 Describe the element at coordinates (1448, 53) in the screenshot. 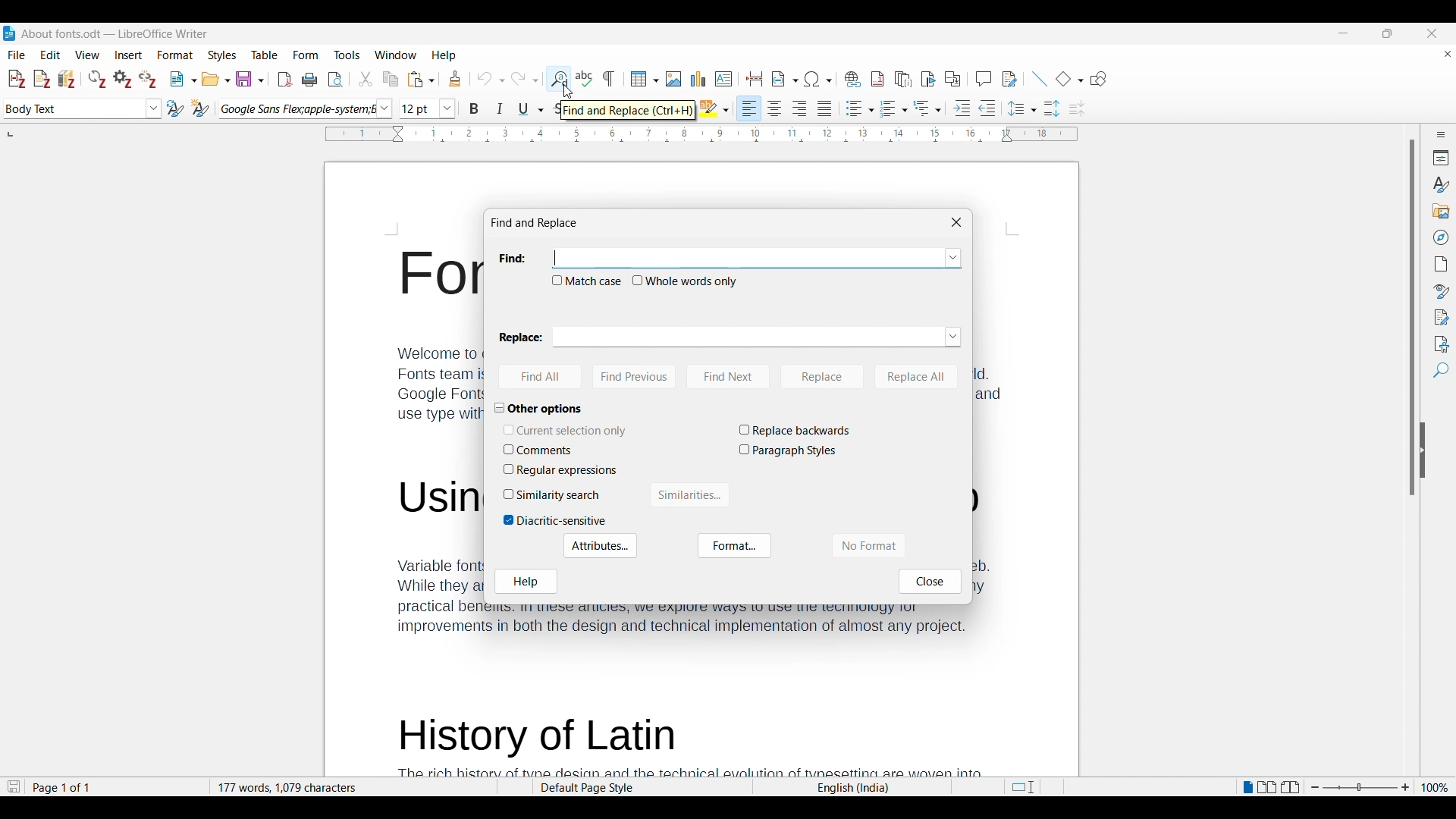

I see `Close document` at that location.